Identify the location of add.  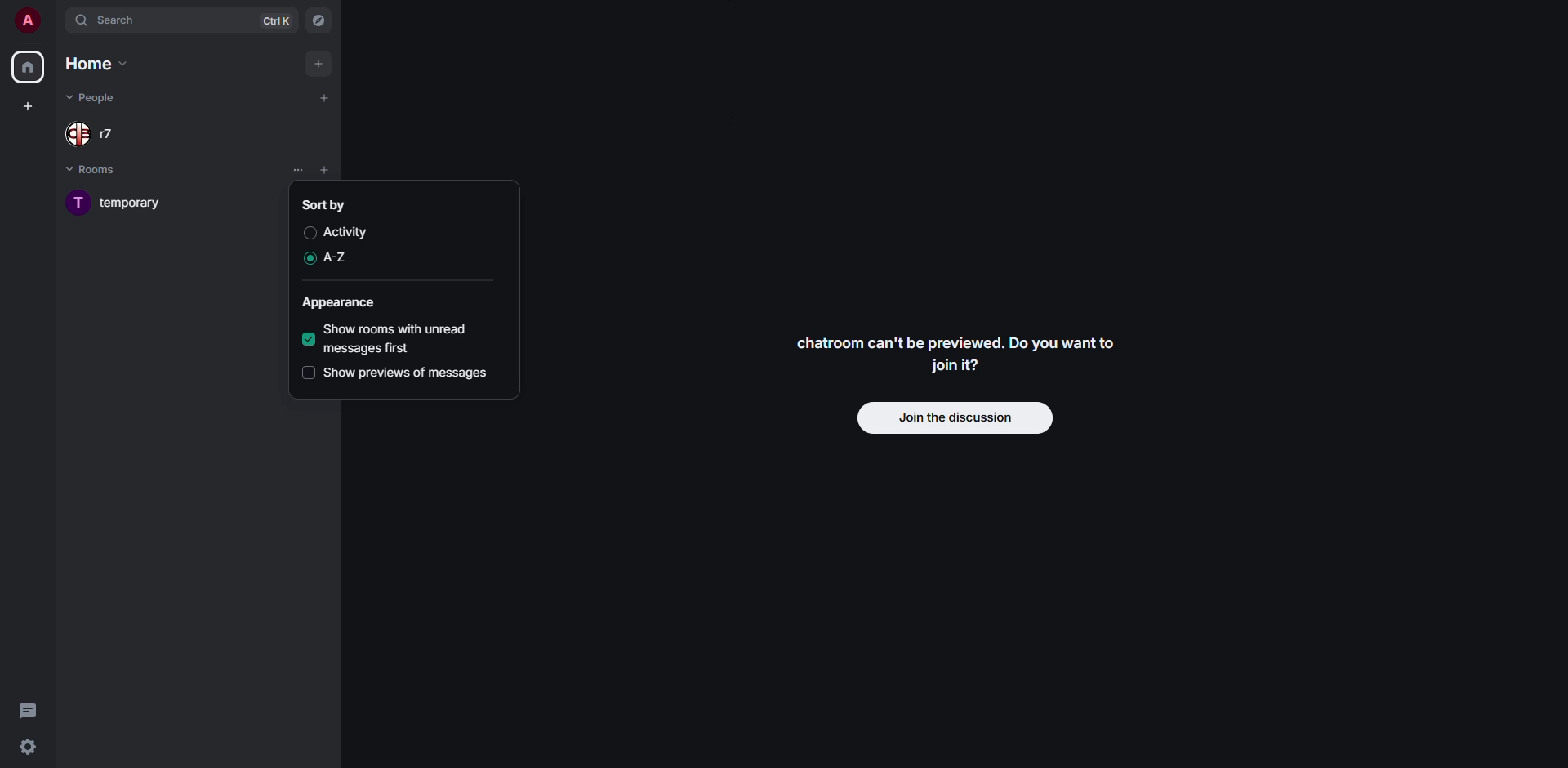
(318, 63).